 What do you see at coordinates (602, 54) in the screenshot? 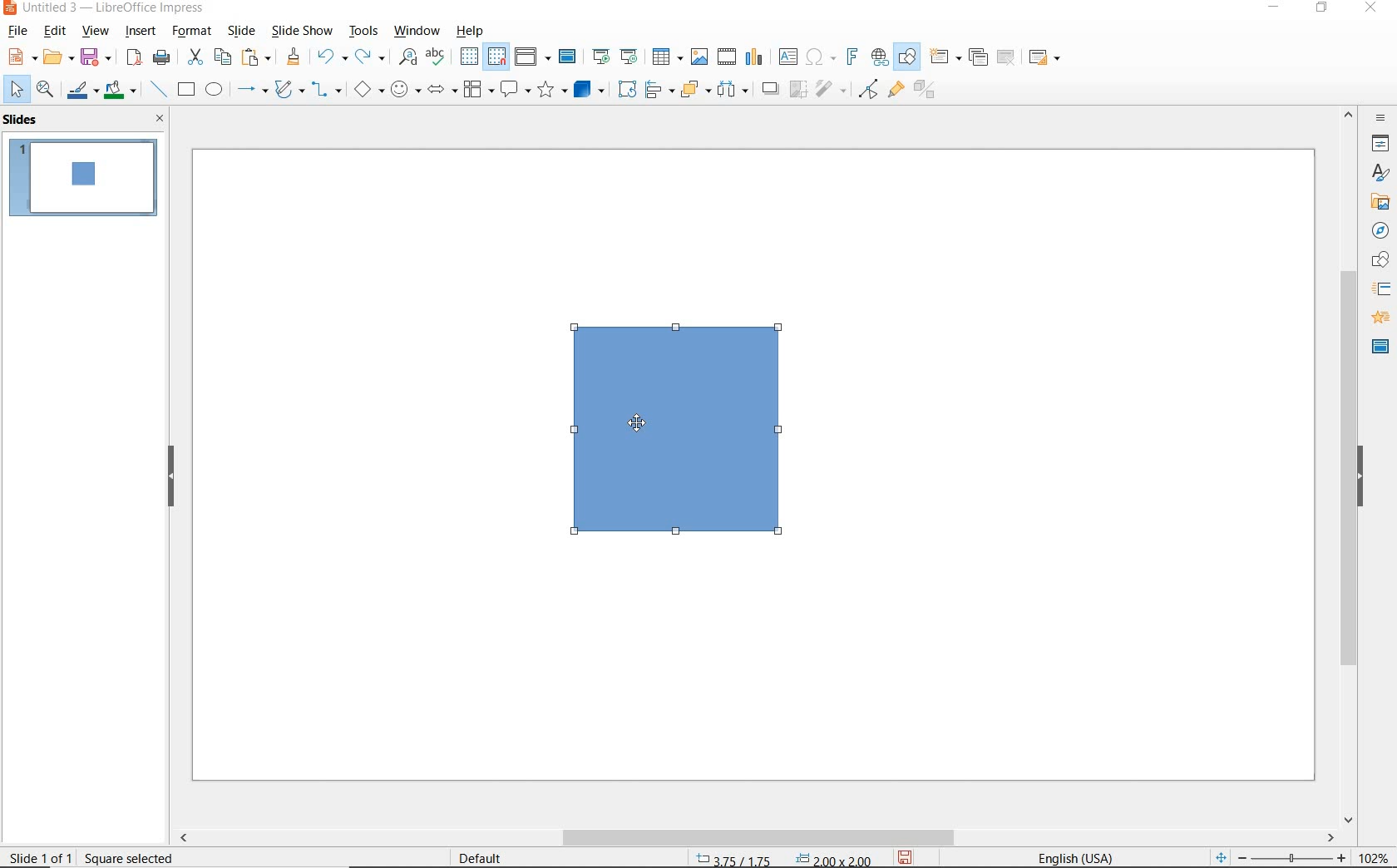
I see `start from first slide` at bounding box center [602, 54].